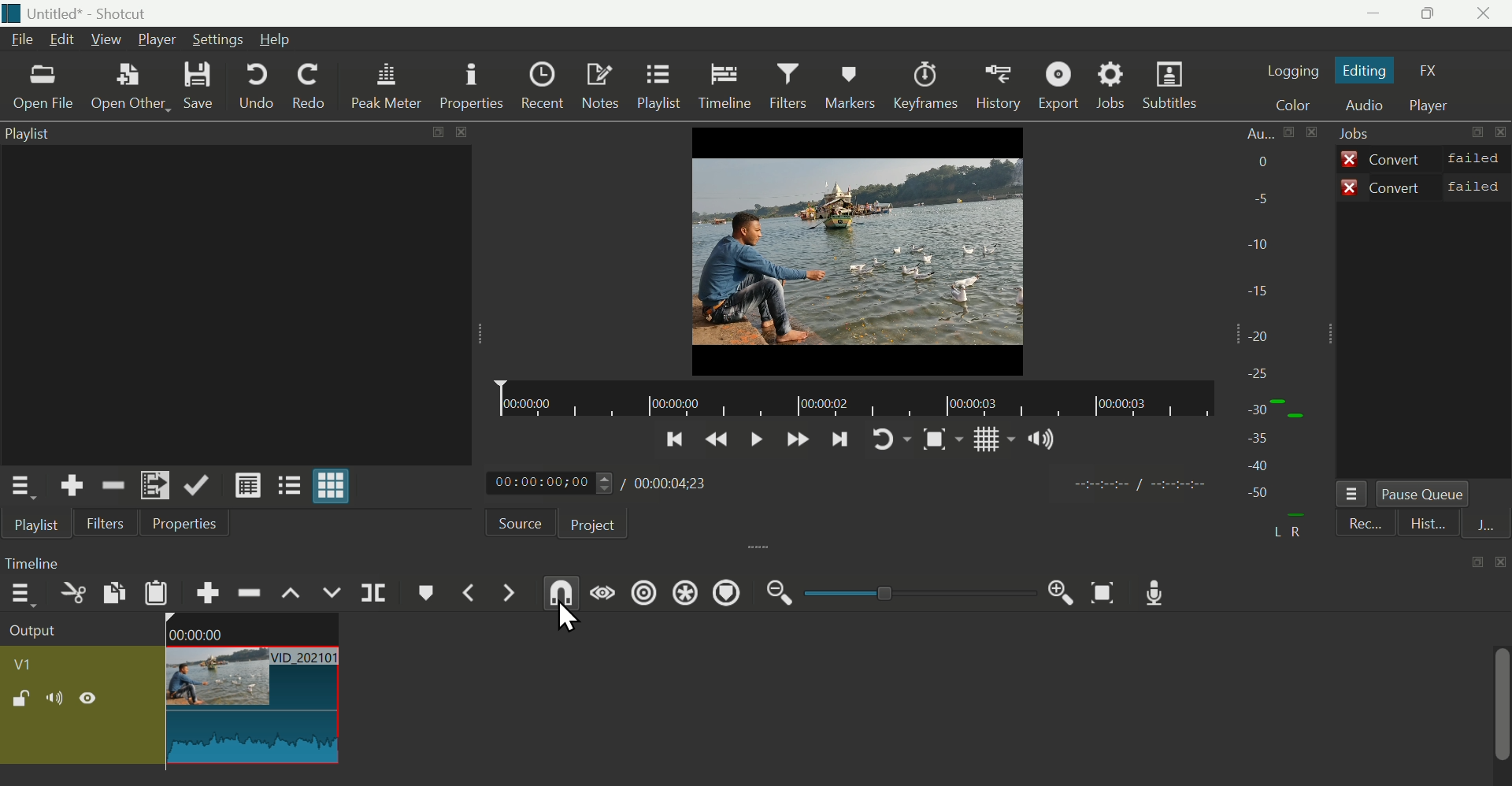  I want to click on , so click(684, 595).